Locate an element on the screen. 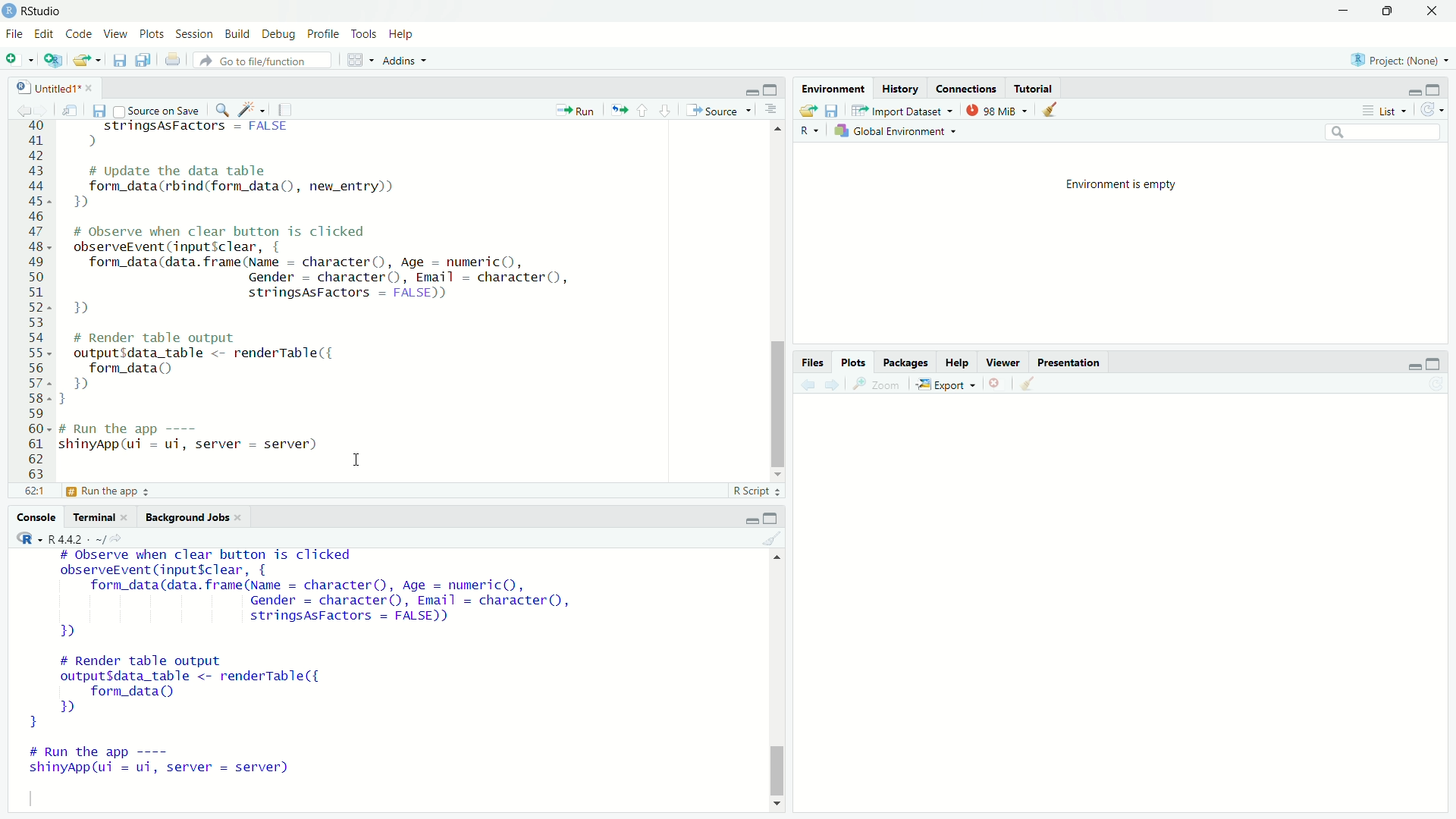 Image resolution: width=1456 pixels, height=819 pixels. logo is located at coordinates (9, 10).